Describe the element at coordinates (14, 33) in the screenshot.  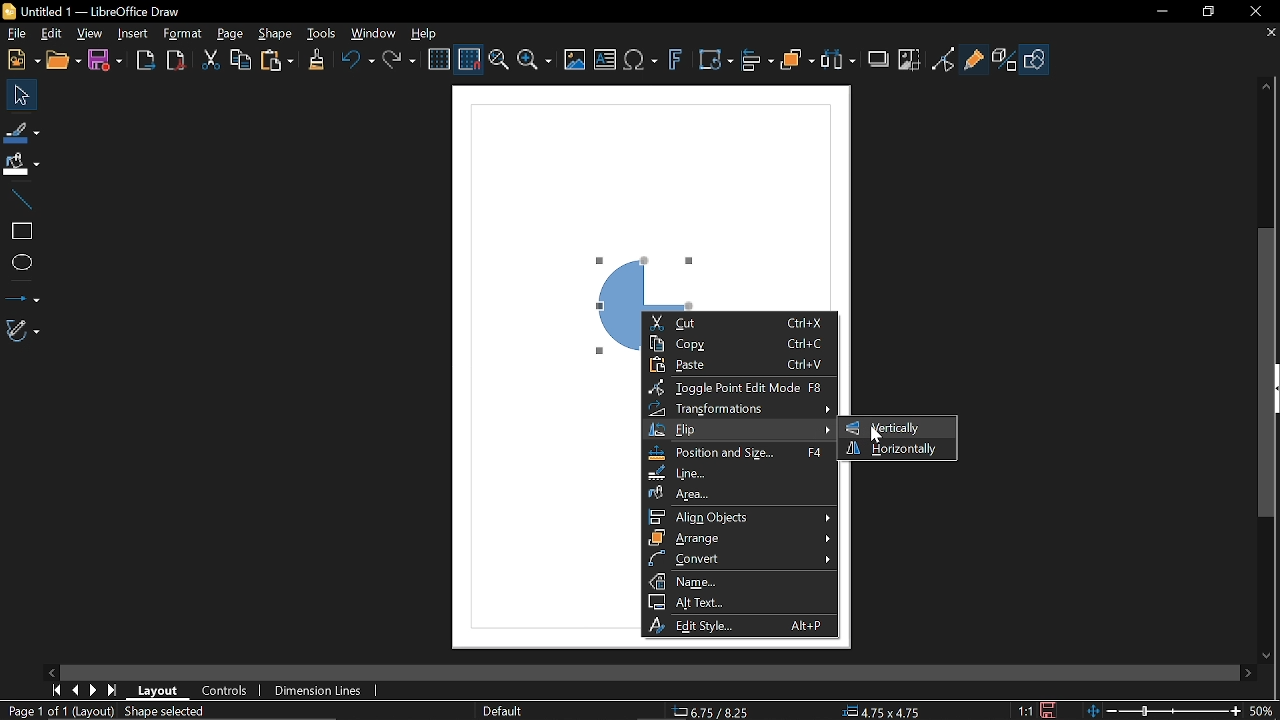
I see `File` at that location.